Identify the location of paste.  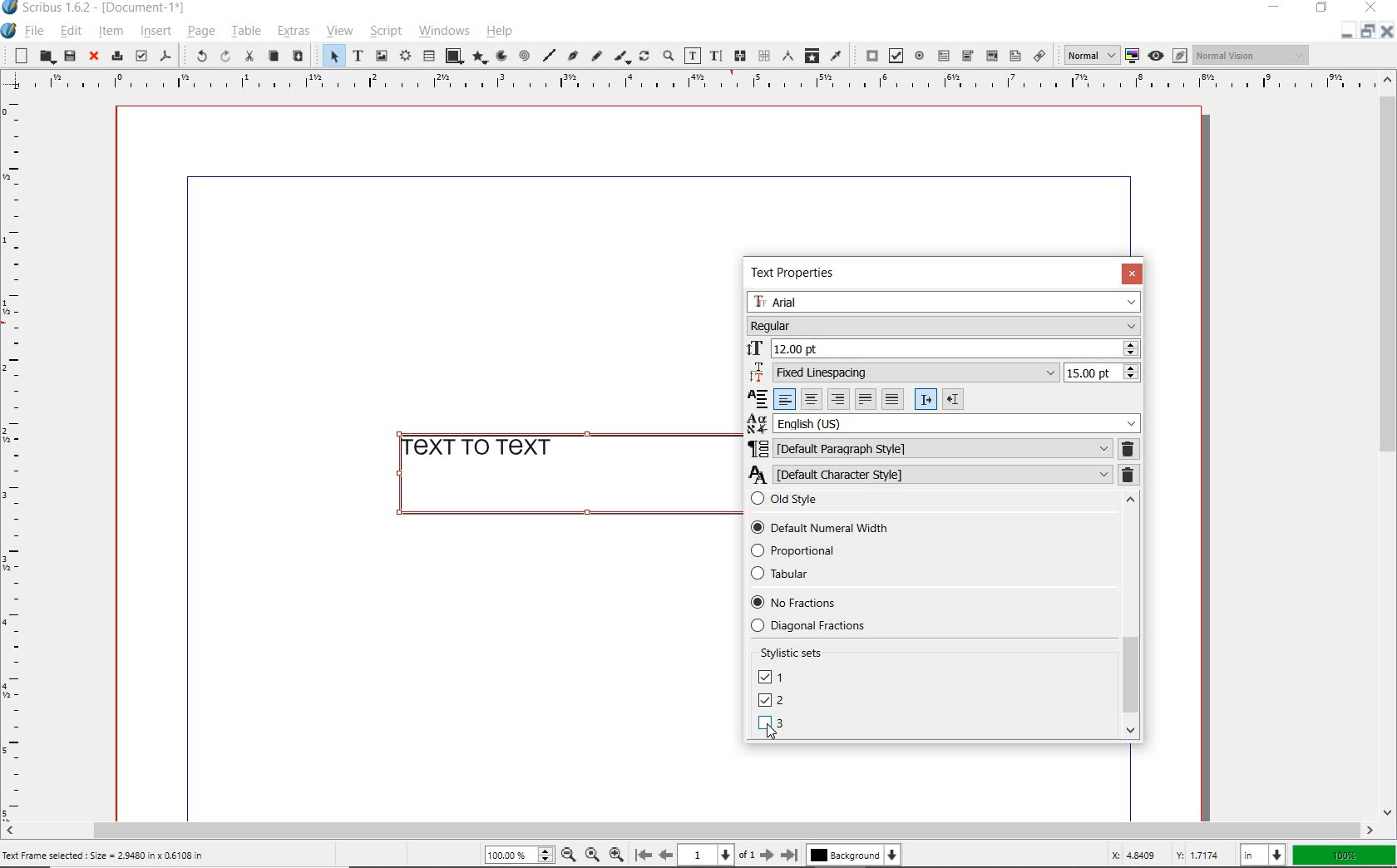
(297, 57).